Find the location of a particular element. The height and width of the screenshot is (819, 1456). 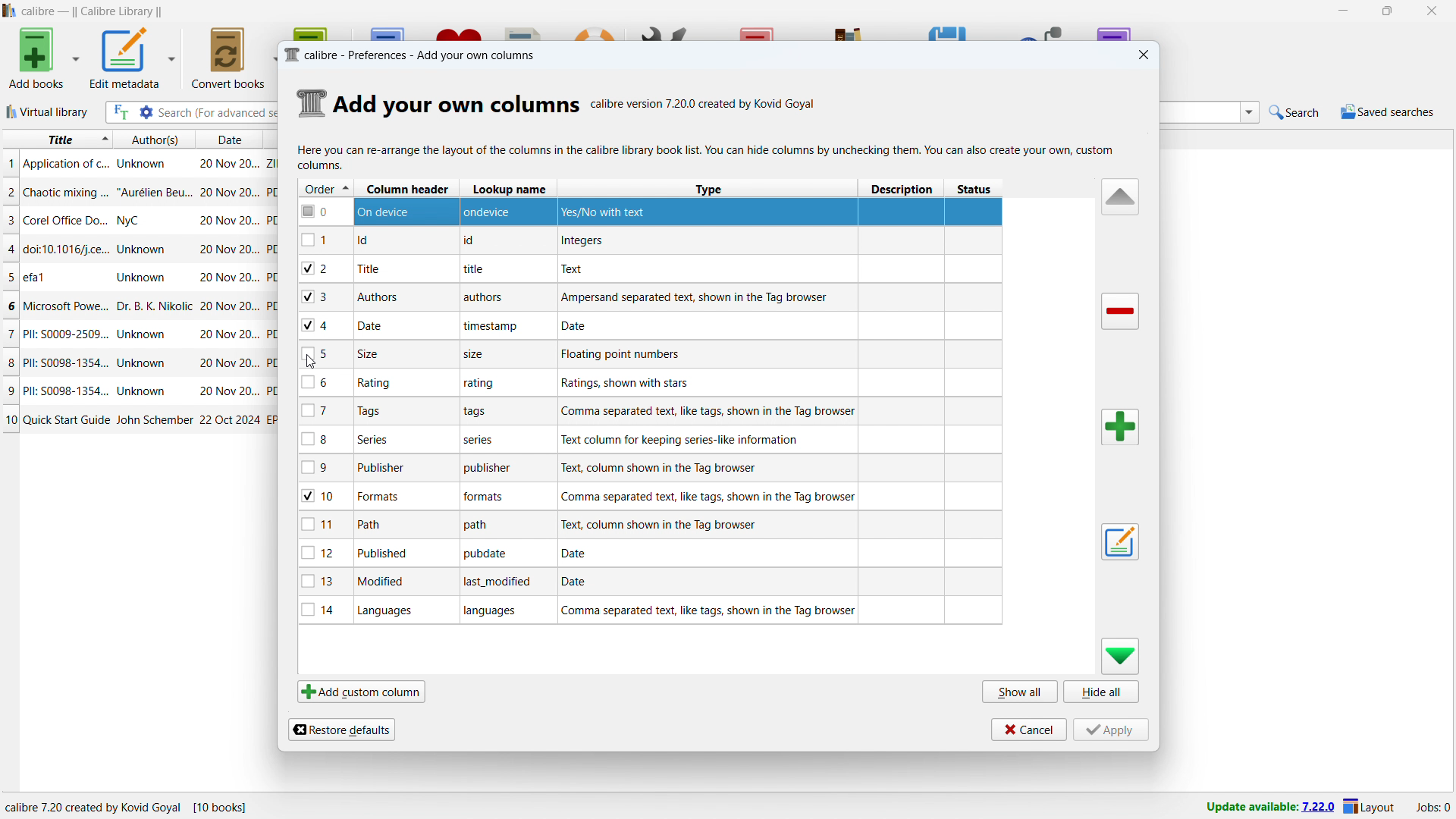

quick search is located at coordinates (1294, 112).